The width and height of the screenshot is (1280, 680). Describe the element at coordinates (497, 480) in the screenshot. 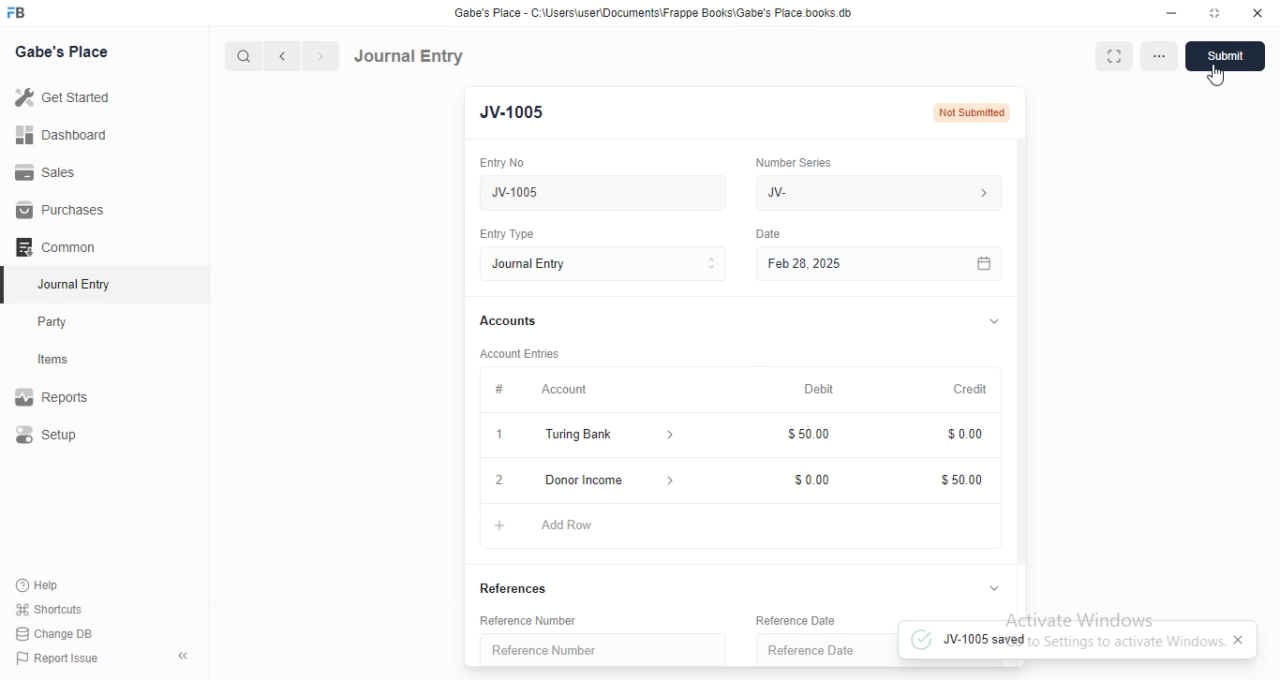

I see `close` at that location.